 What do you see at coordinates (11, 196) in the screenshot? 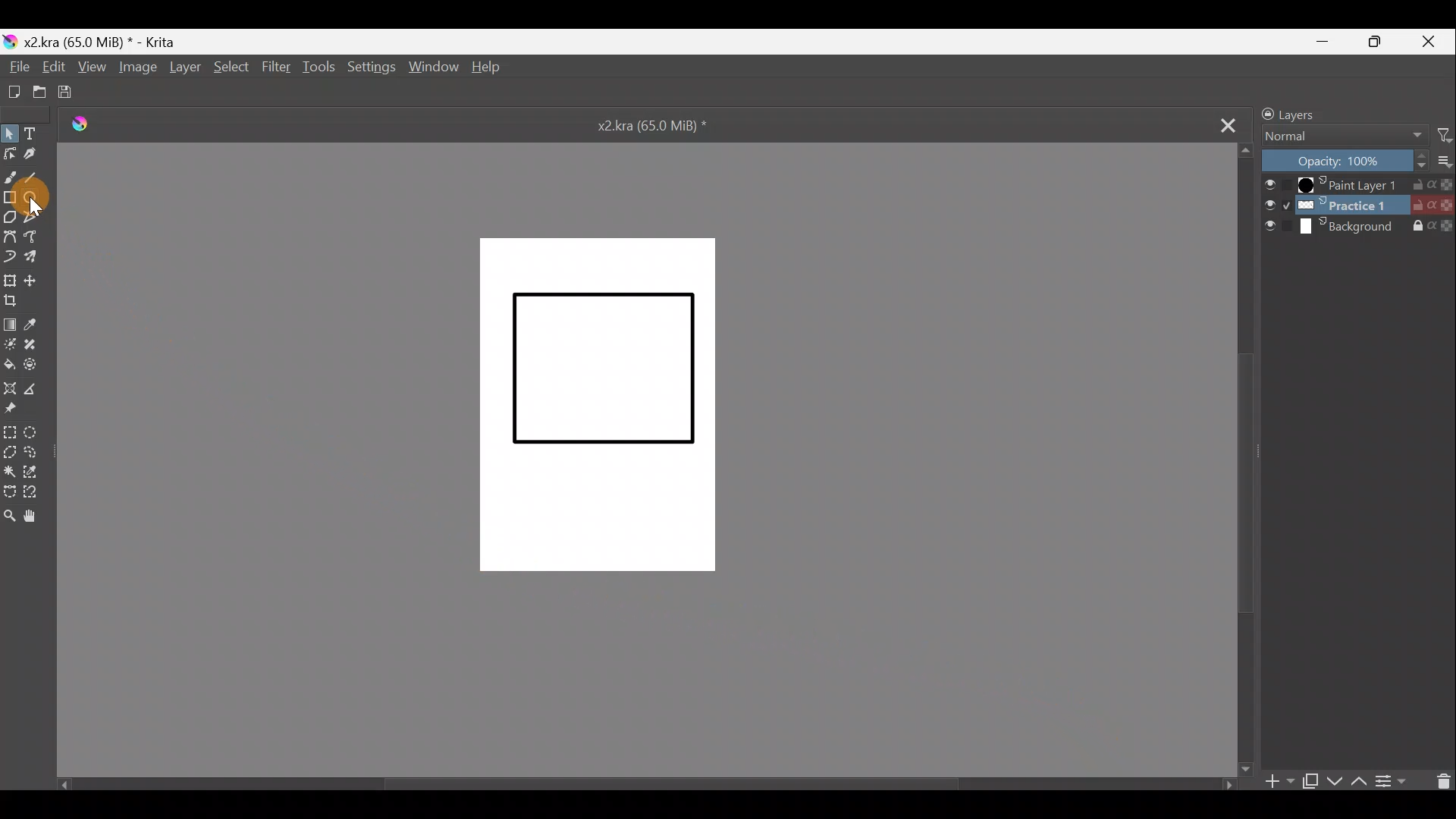
I see `Rectangle tool` at bounding box center [11, 196].